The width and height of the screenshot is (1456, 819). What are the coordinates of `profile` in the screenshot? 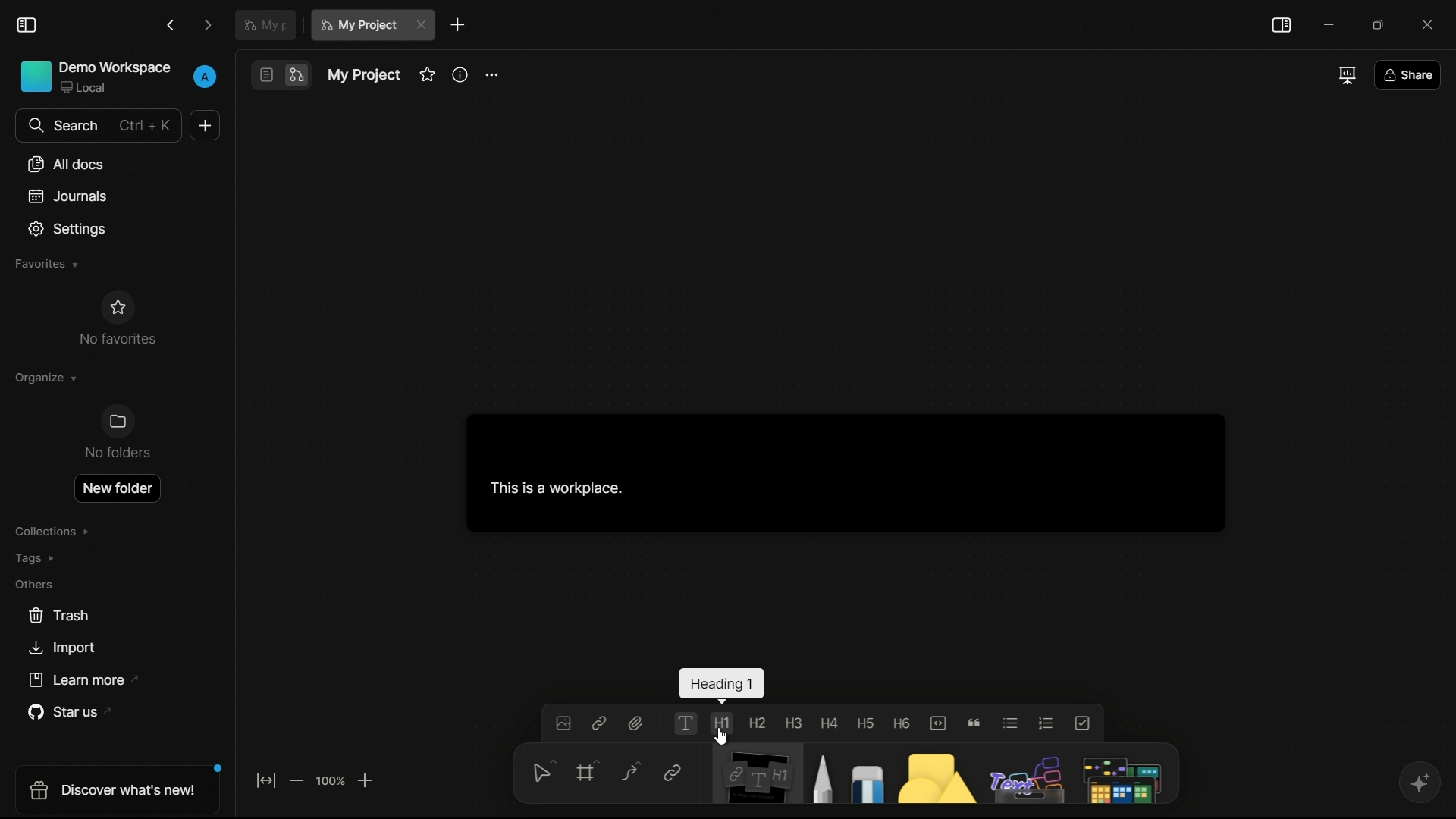 It's located at (205, 77).